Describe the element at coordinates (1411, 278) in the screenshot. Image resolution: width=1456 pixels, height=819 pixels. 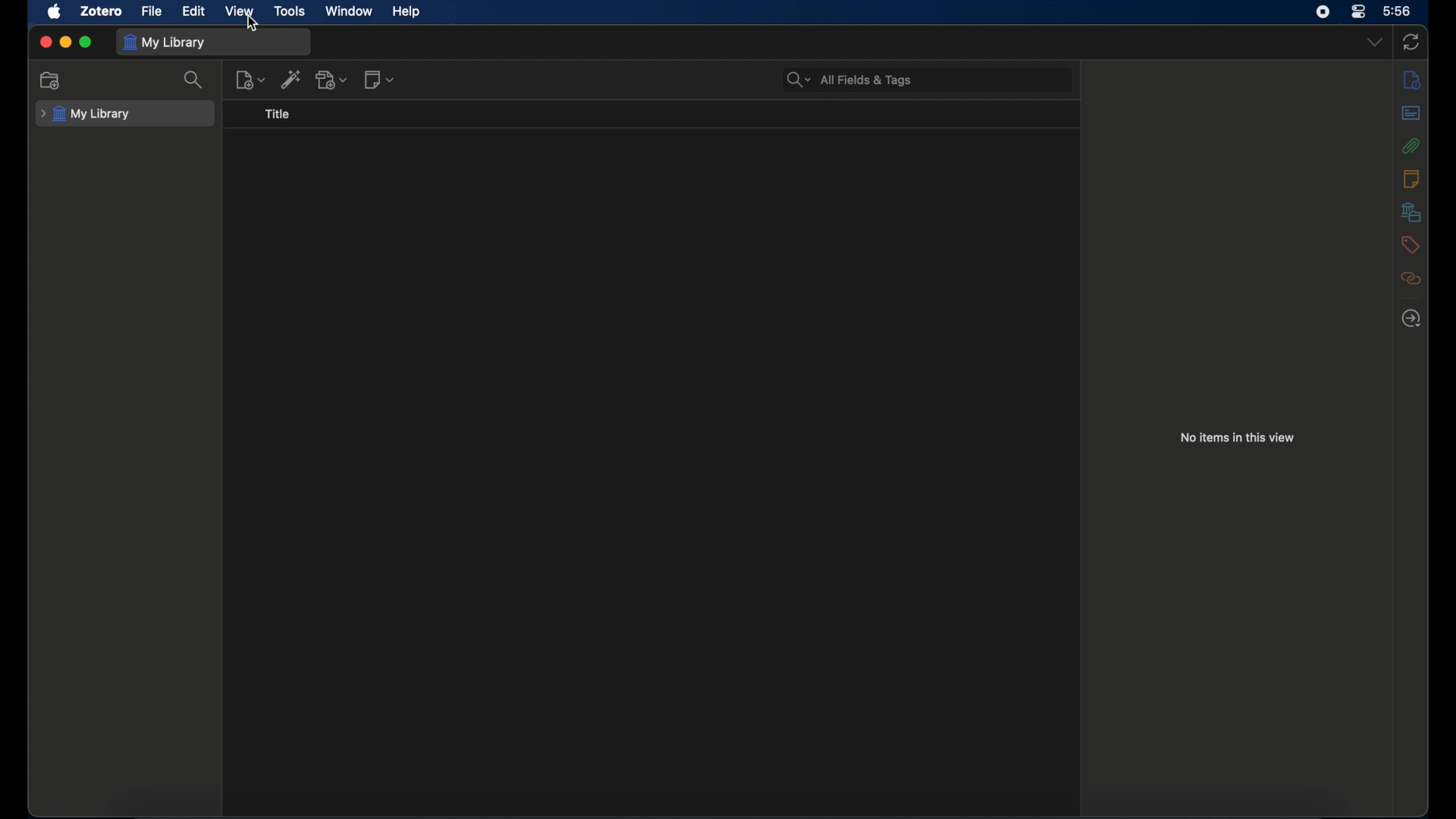
I see `related` at that location.